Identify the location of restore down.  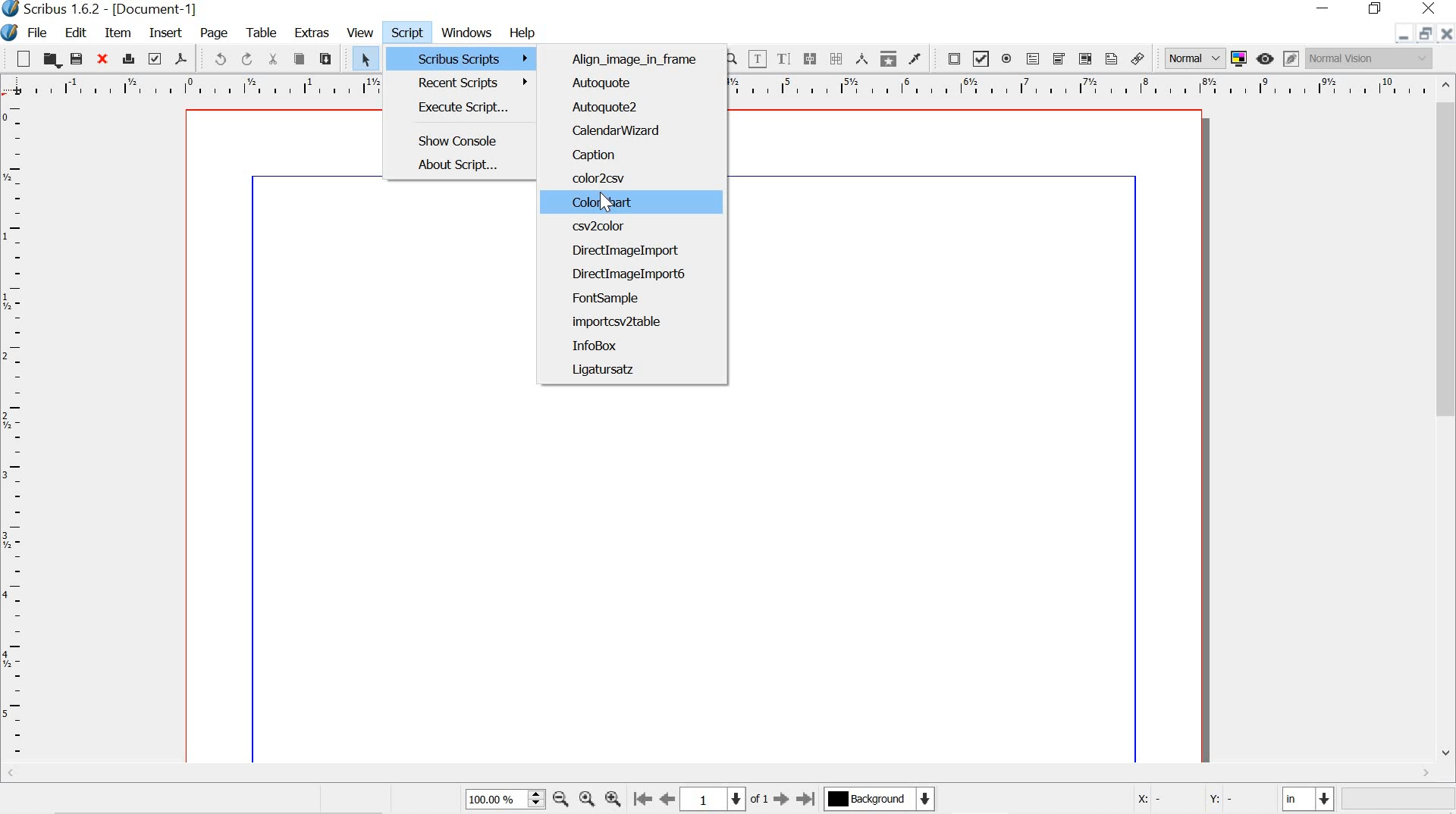
(1377, 9).